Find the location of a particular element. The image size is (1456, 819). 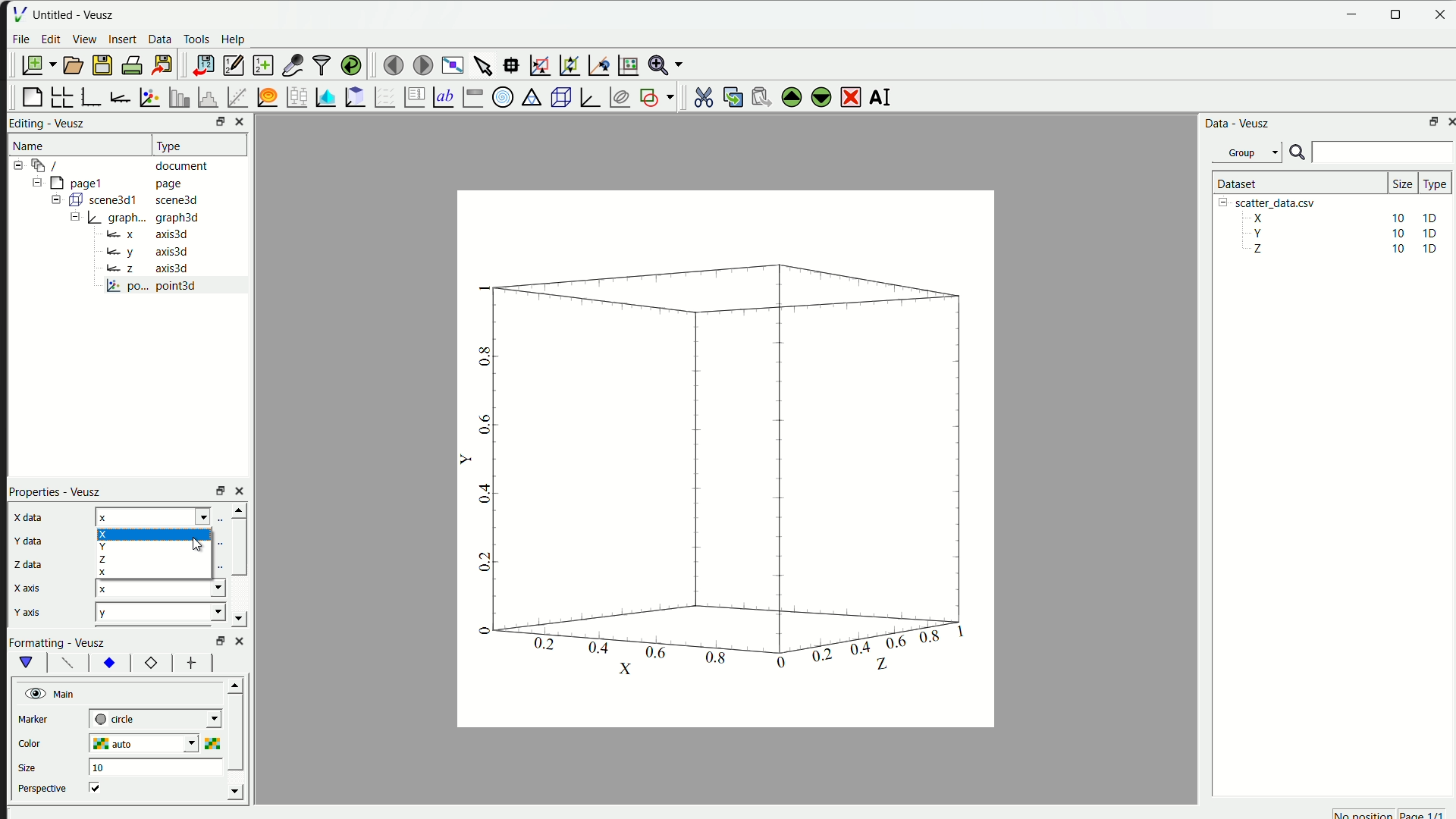

histogram of dataset is located at coordinates (205, 97).